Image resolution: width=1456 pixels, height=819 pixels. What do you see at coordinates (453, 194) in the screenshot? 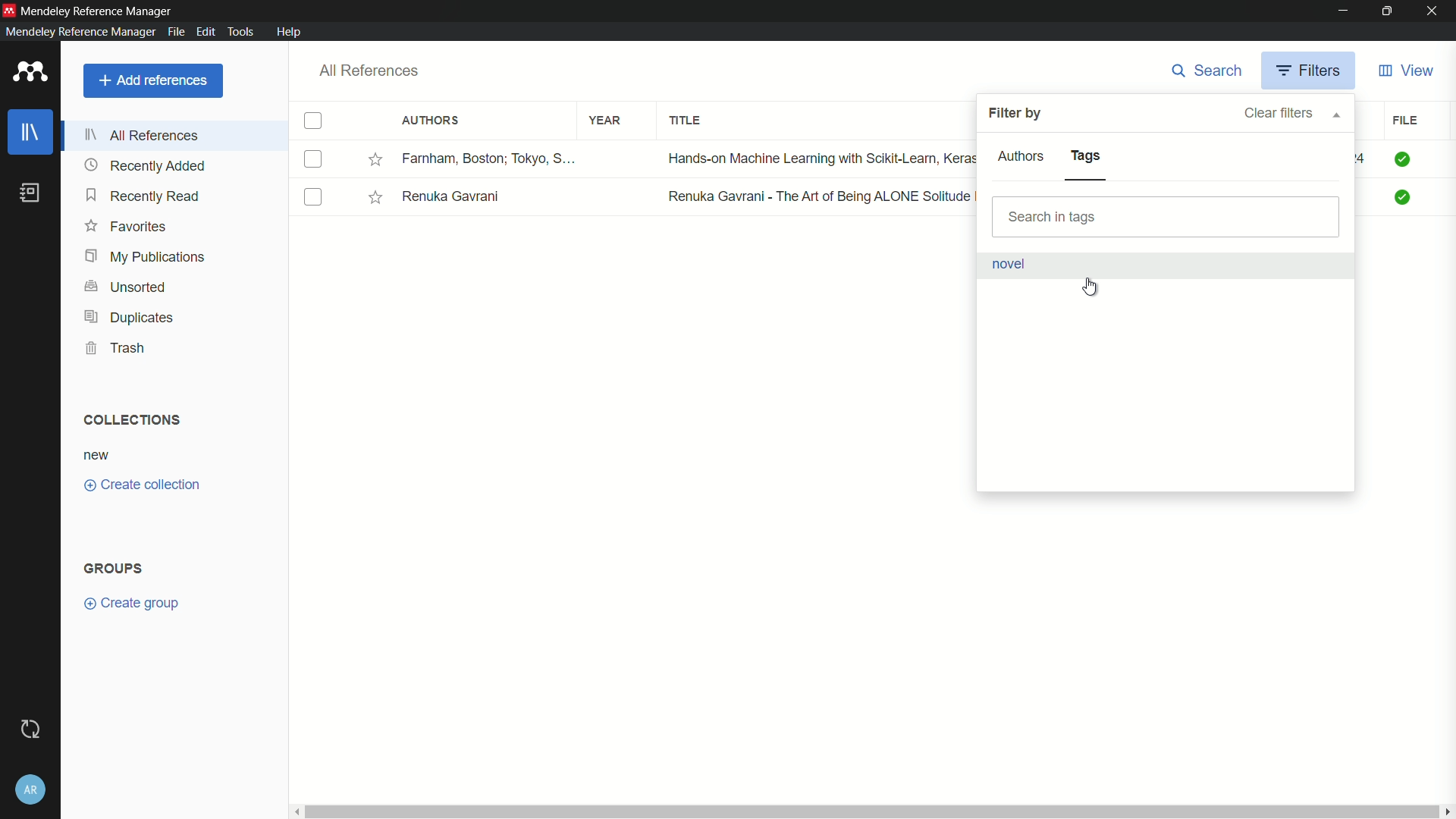
I see `Renuka Gavrani` at bounding box center [453, 194].